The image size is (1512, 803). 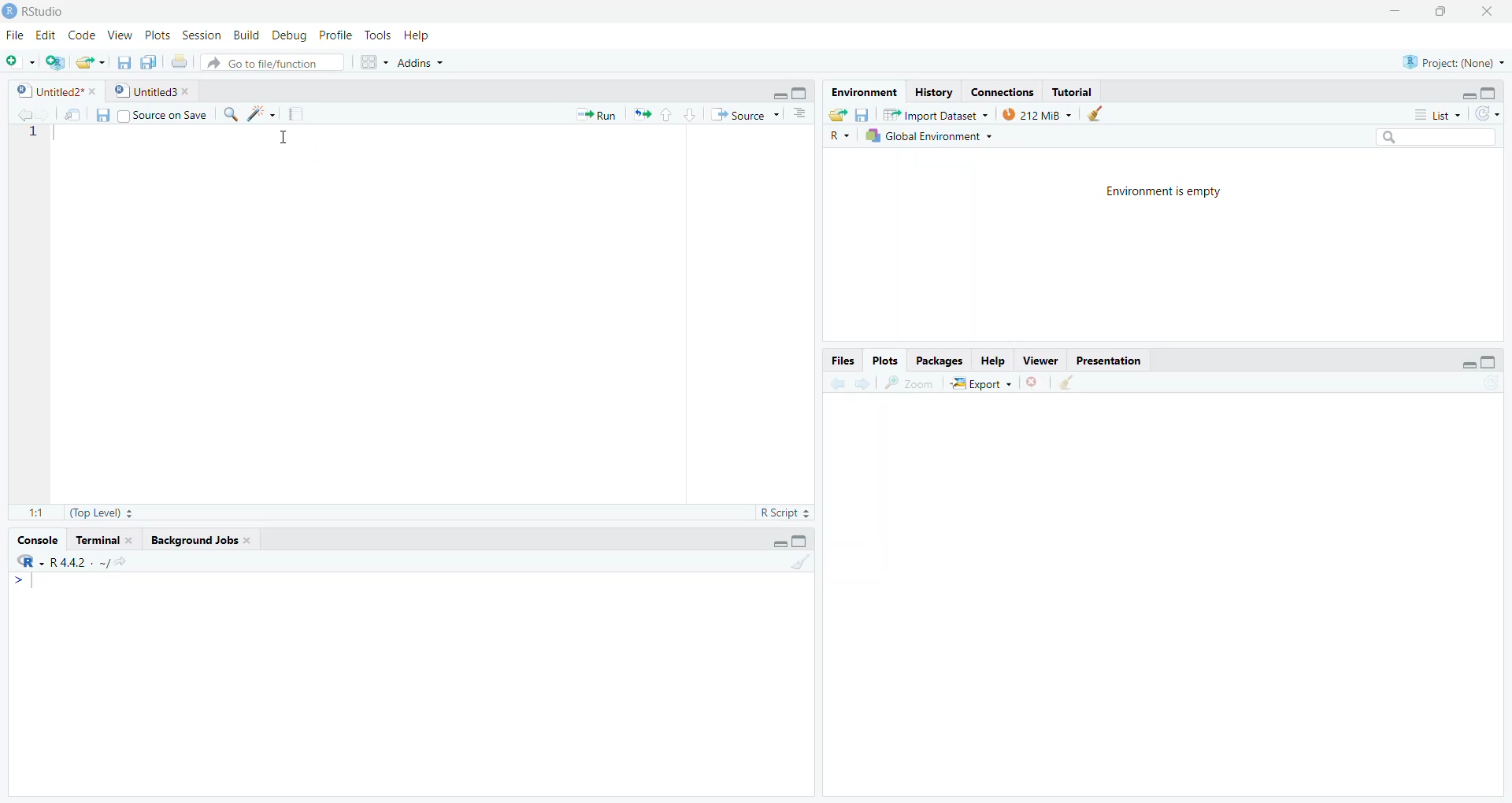 What do you see at coordinates (228, 113) in the screenshot?
I see `search` at bounding box center [228, 113].